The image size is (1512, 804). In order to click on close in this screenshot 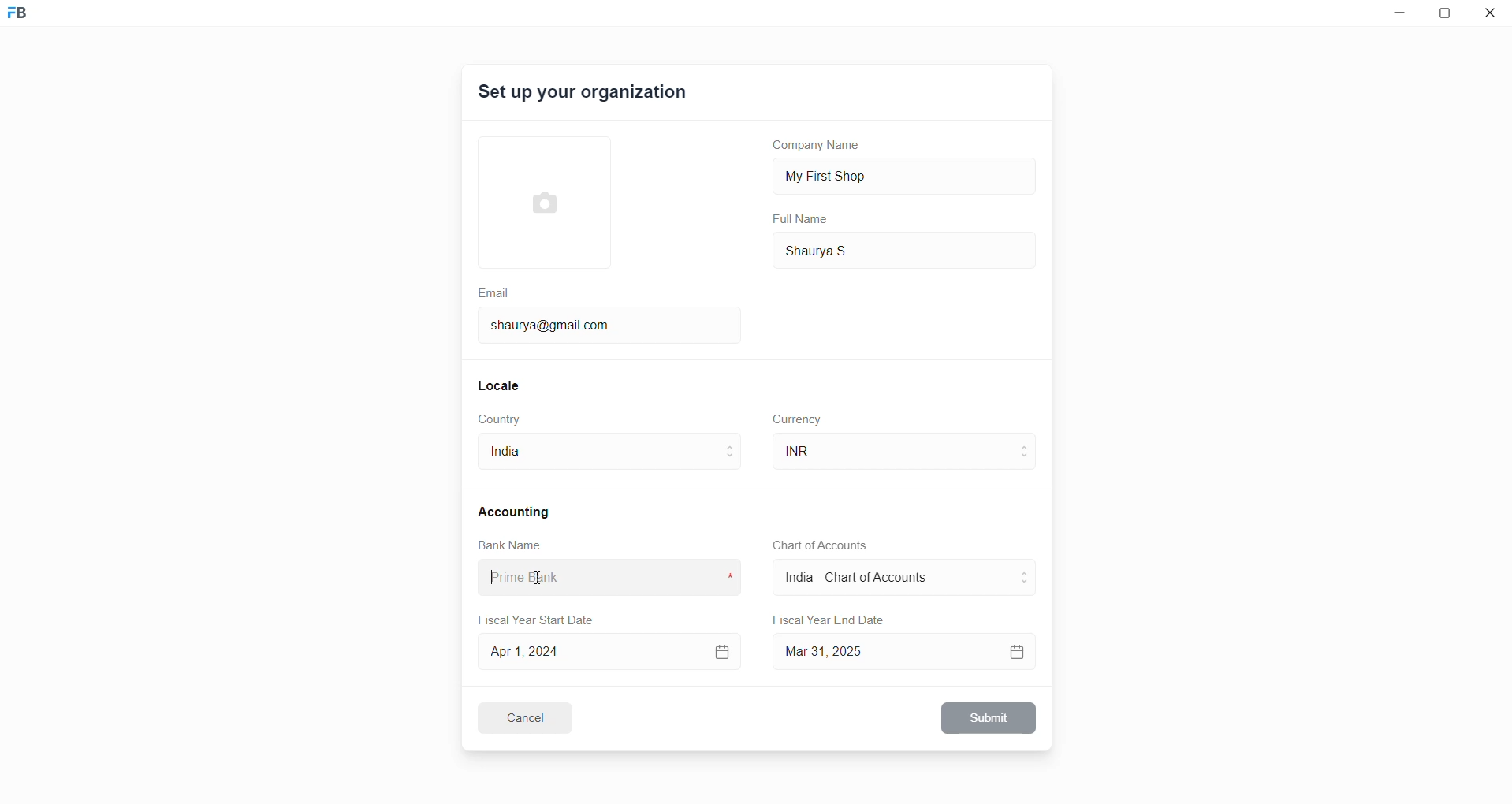, I will do `click(1491, 16)`.